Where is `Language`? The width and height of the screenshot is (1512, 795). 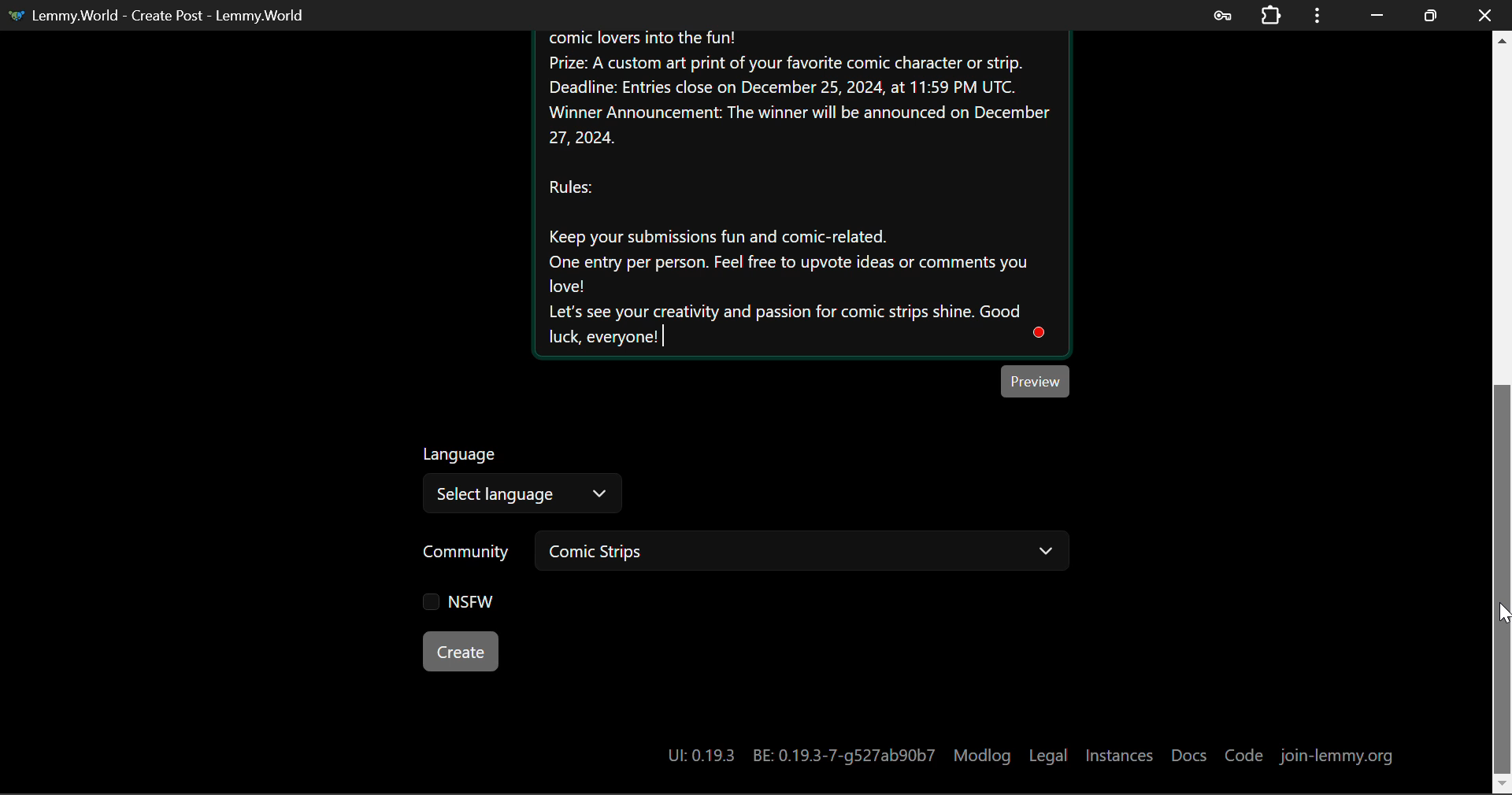 Language is located at coordinates (462, 452).